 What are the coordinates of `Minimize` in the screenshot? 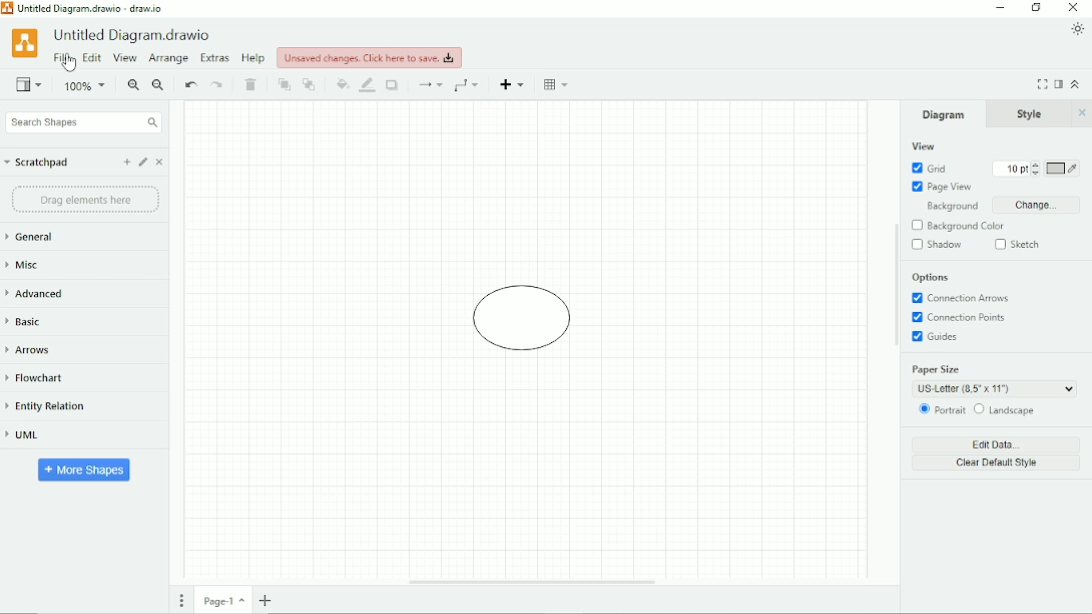 It's located at (1001, 7).